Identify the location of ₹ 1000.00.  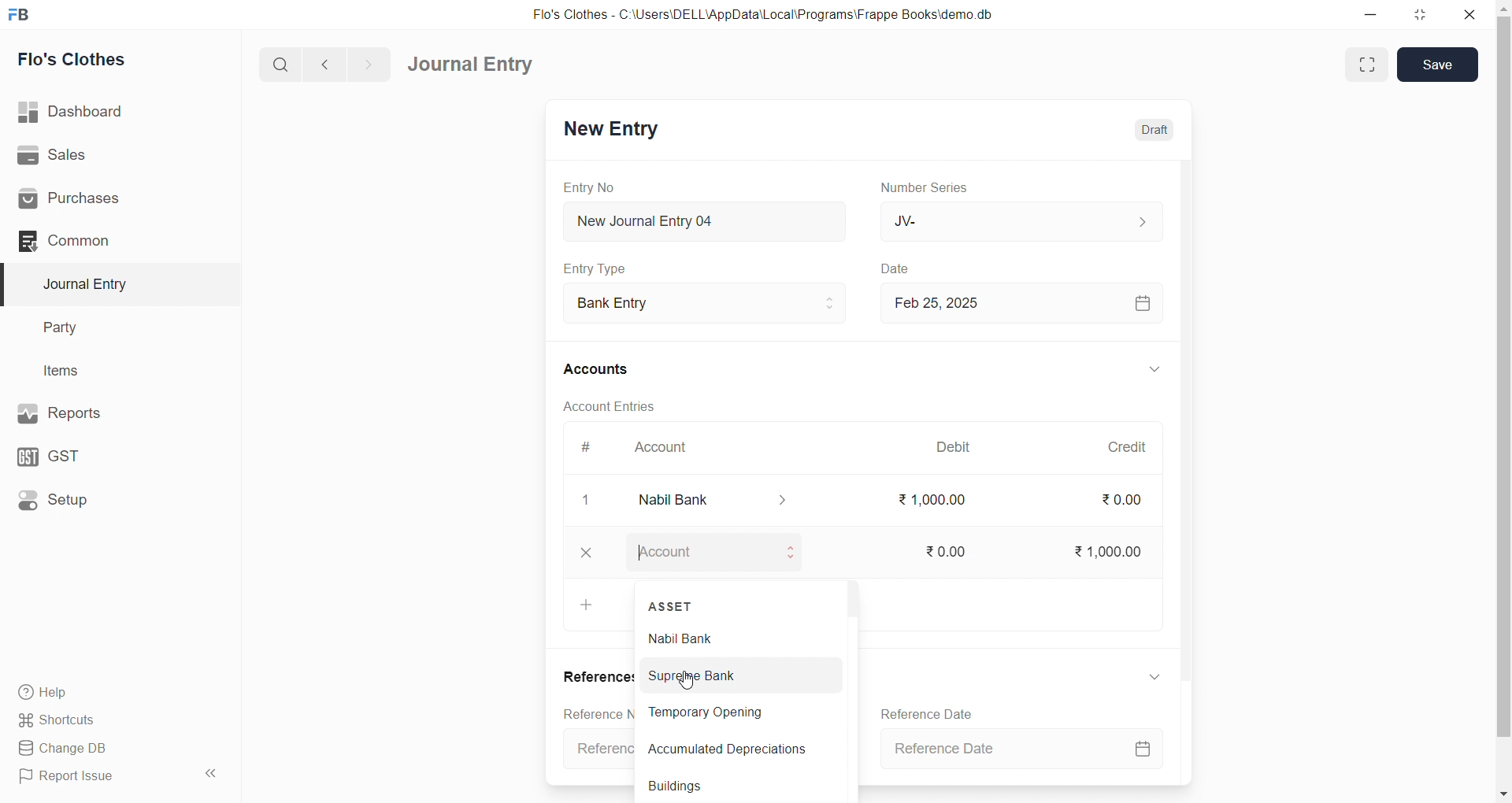
(1105, 553).